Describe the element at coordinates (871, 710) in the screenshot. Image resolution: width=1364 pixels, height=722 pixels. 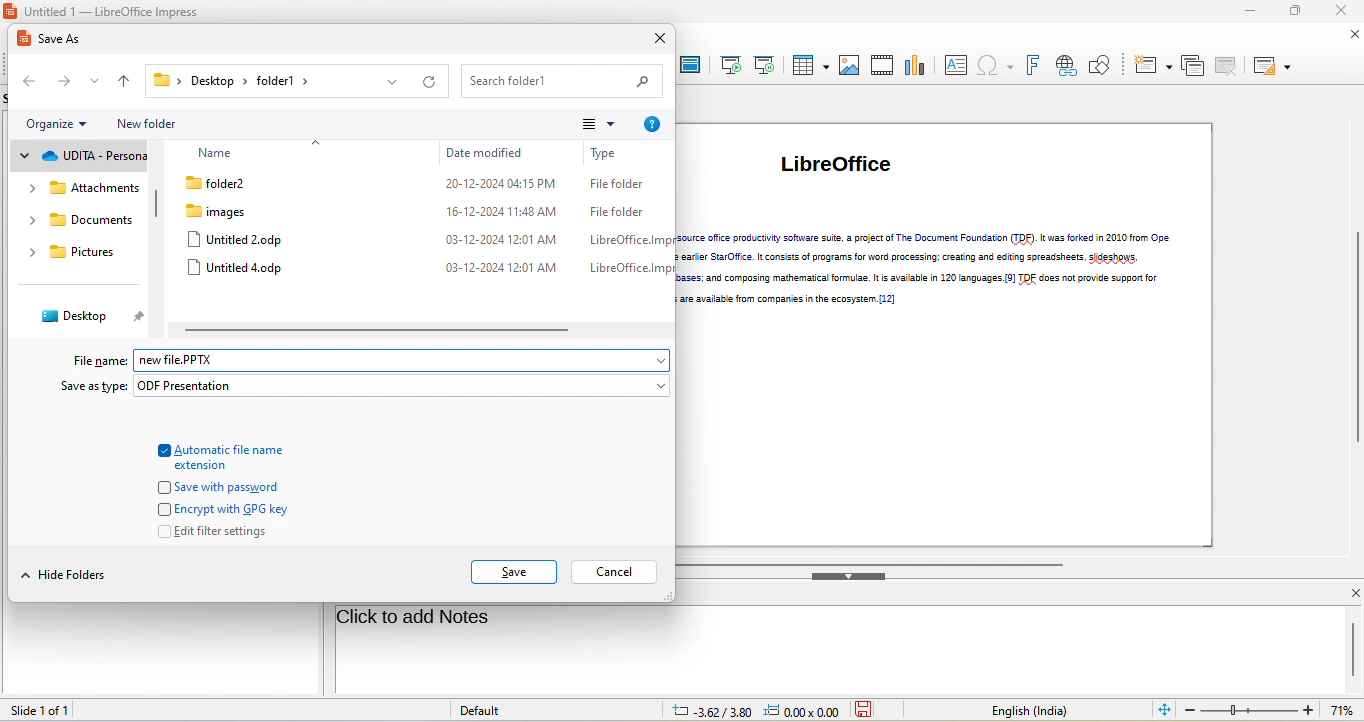
I see `the document has not been modified since the last save` at that location.